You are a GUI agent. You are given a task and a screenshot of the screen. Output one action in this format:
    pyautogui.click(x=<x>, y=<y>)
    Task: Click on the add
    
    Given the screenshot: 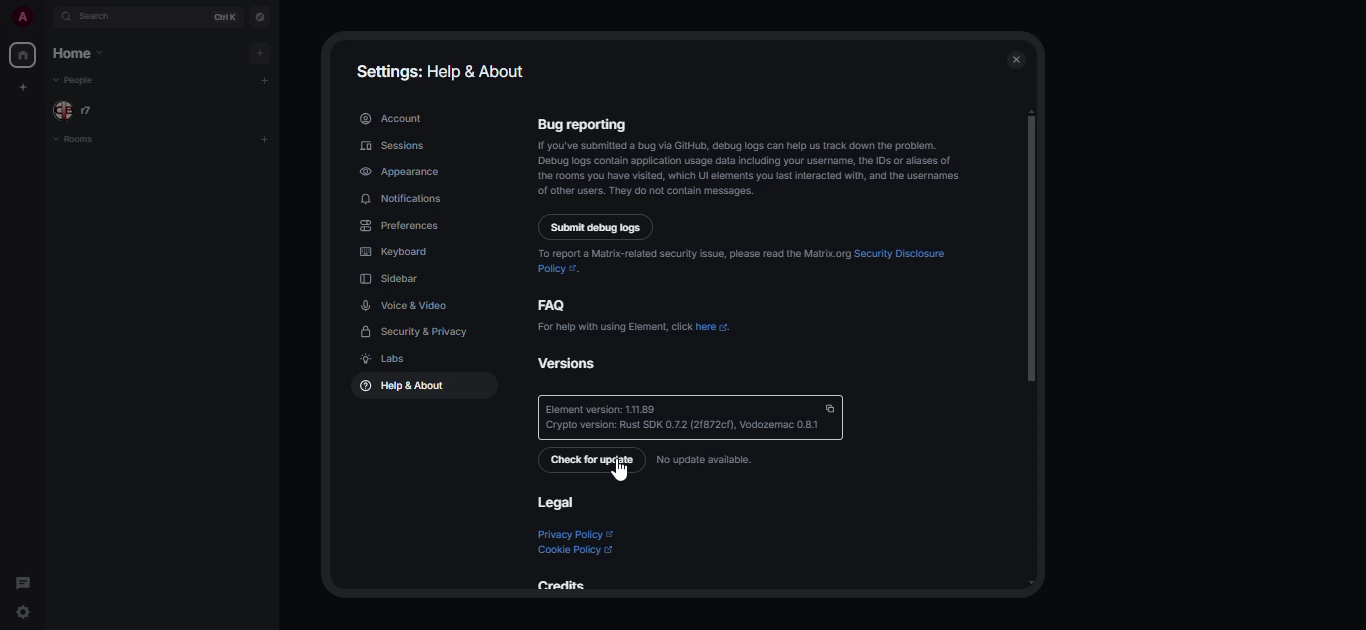 What is the action you would take?
    pyautogui.click(x=265, y=139)
    